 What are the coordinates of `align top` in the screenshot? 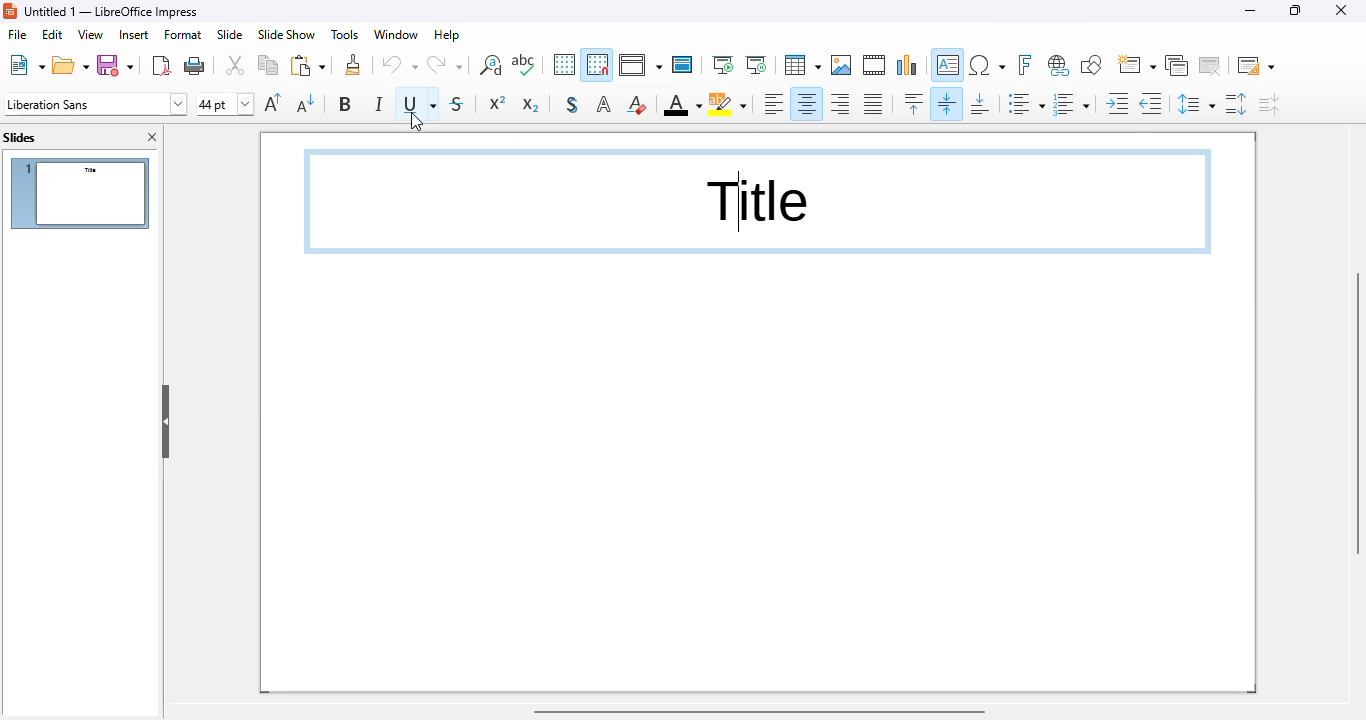 It's located at (914, 102).